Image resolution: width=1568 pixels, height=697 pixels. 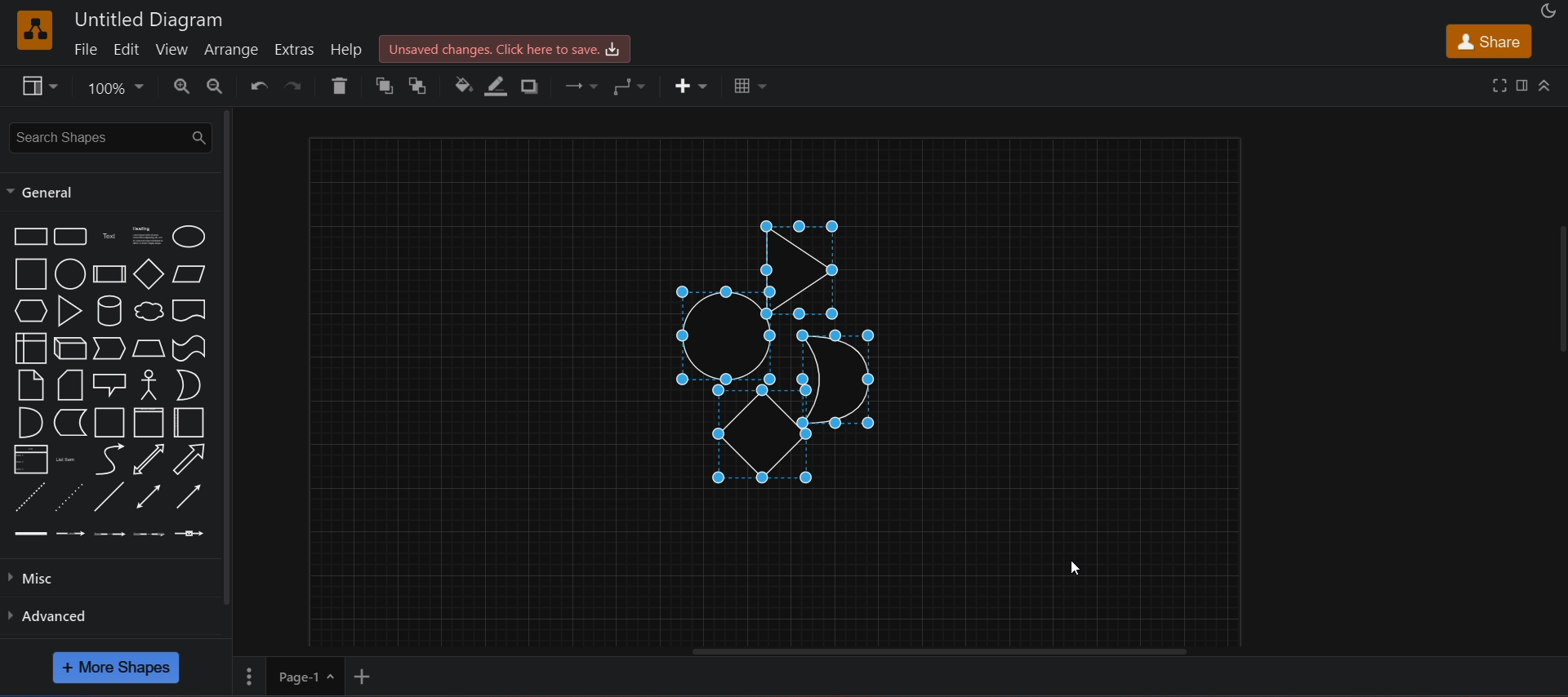 What do you see at coordinates (28, 236) in the screenshot?
I see `rectangle` at bounding box center [28, 236].